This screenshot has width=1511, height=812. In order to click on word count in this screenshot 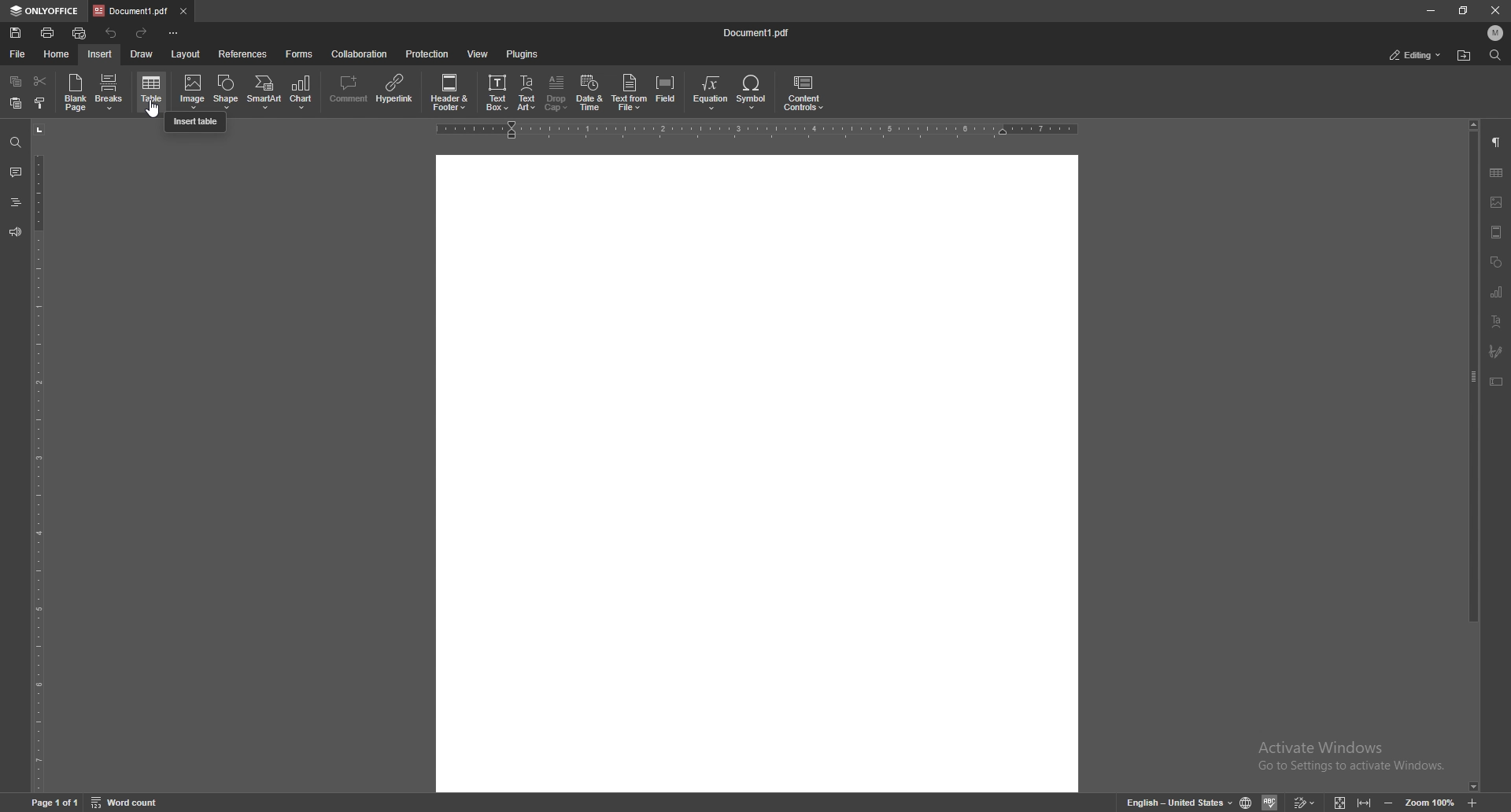, I will do `click(125, 802)`.